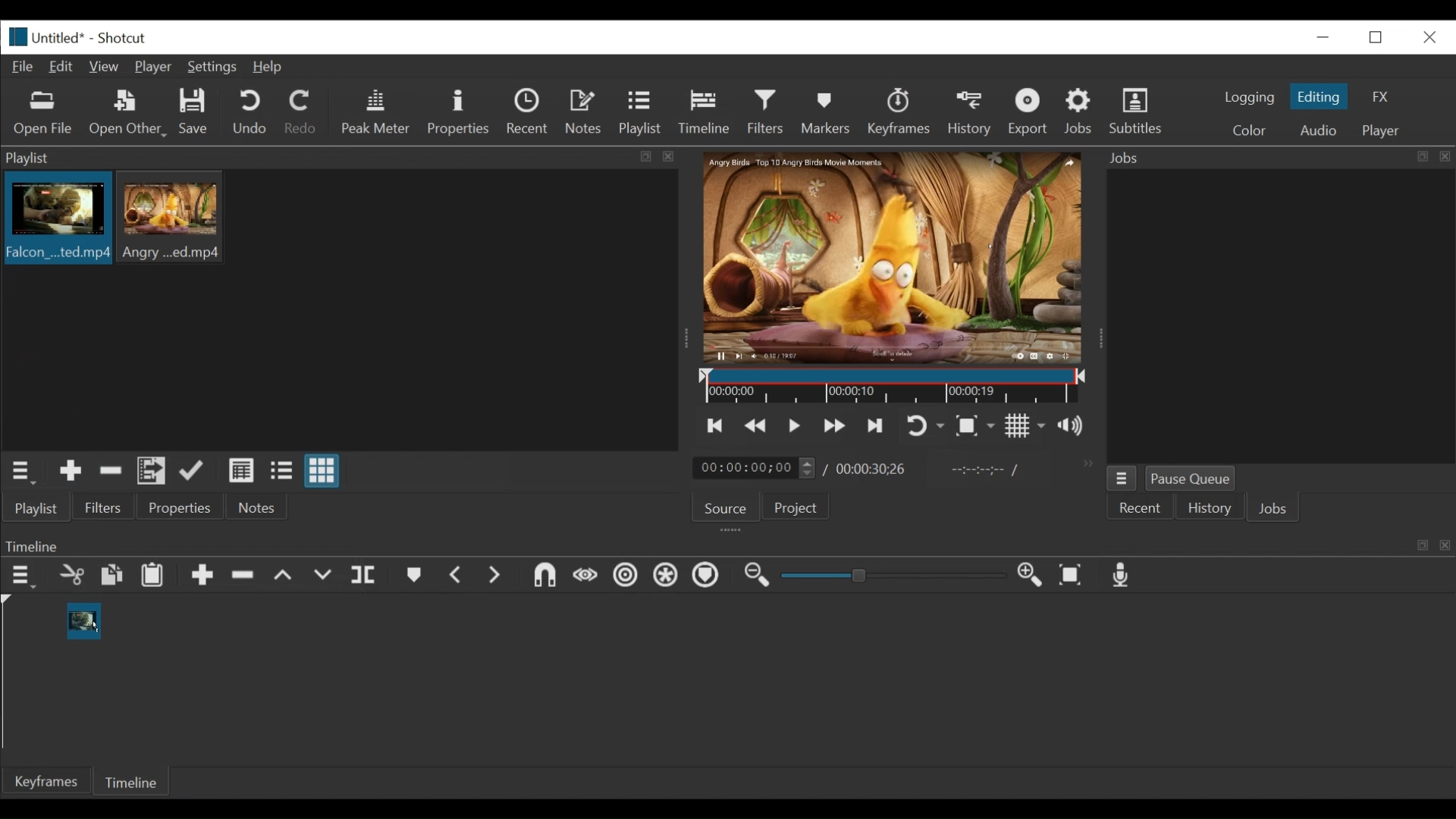 This screenshot has width=1456, height=819. Describe the element at coordinates (14, 35) in the screenshot. I see `Shotcut logo` at that location.